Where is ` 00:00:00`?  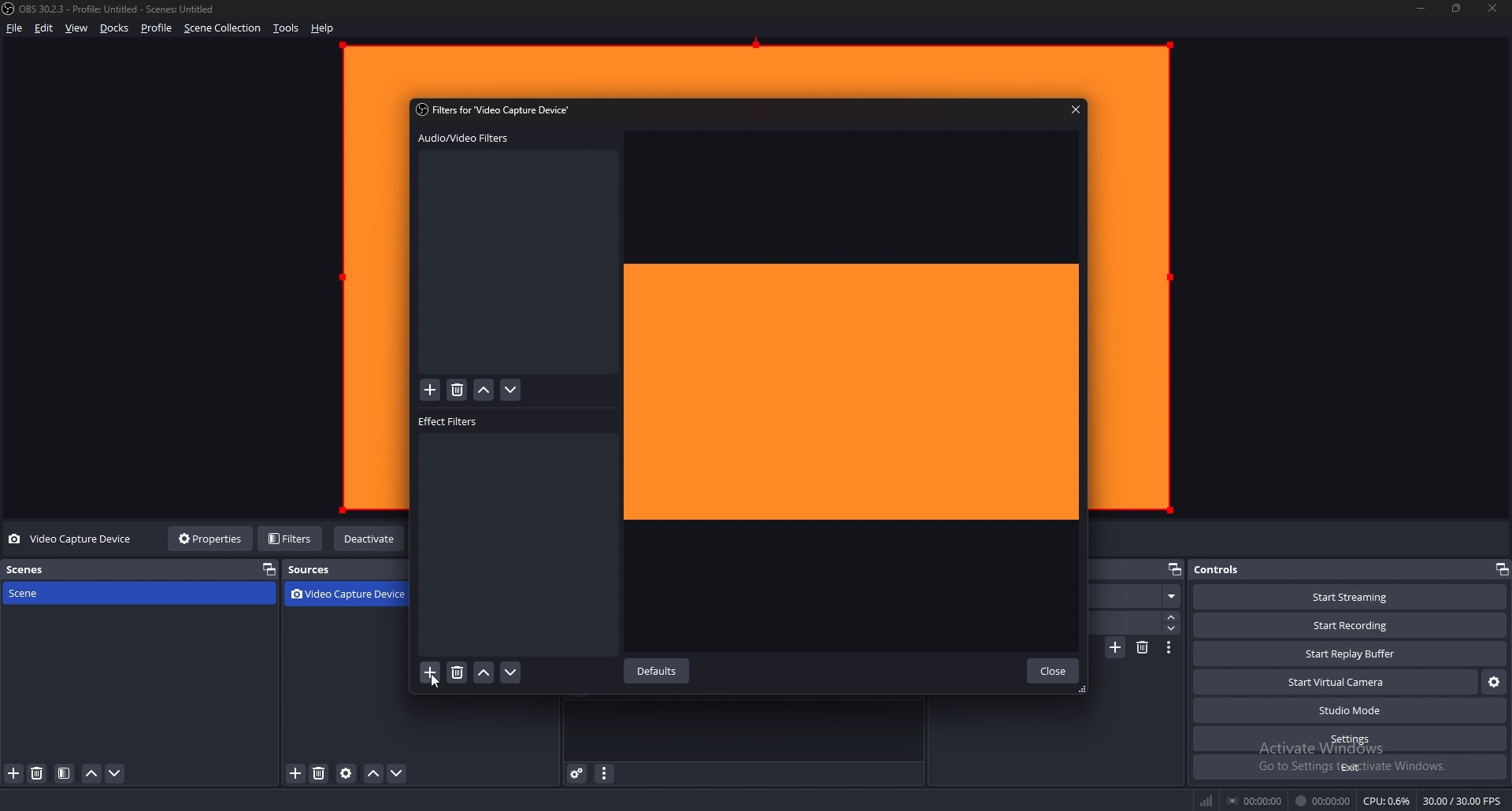  00:00:00 is located at coordinates (1322, 801).